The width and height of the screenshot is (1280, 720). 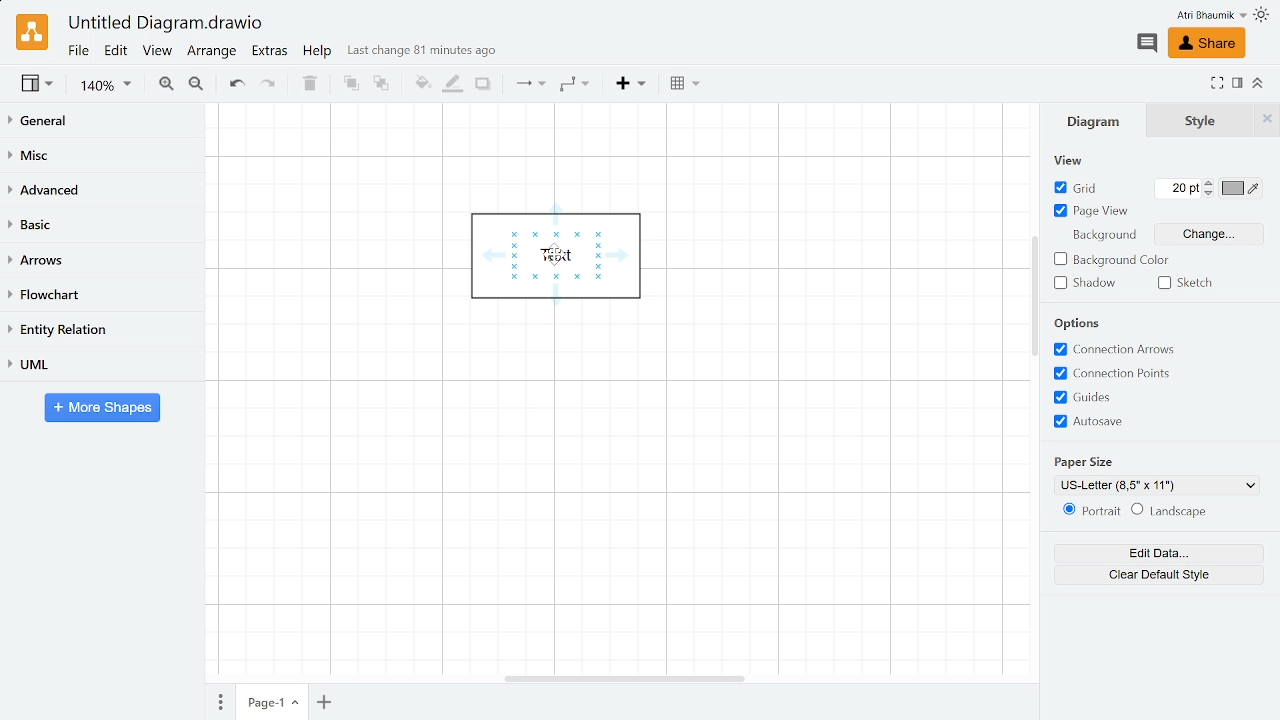 I want to click on Current grid pt, so click(x=1174, y=191).